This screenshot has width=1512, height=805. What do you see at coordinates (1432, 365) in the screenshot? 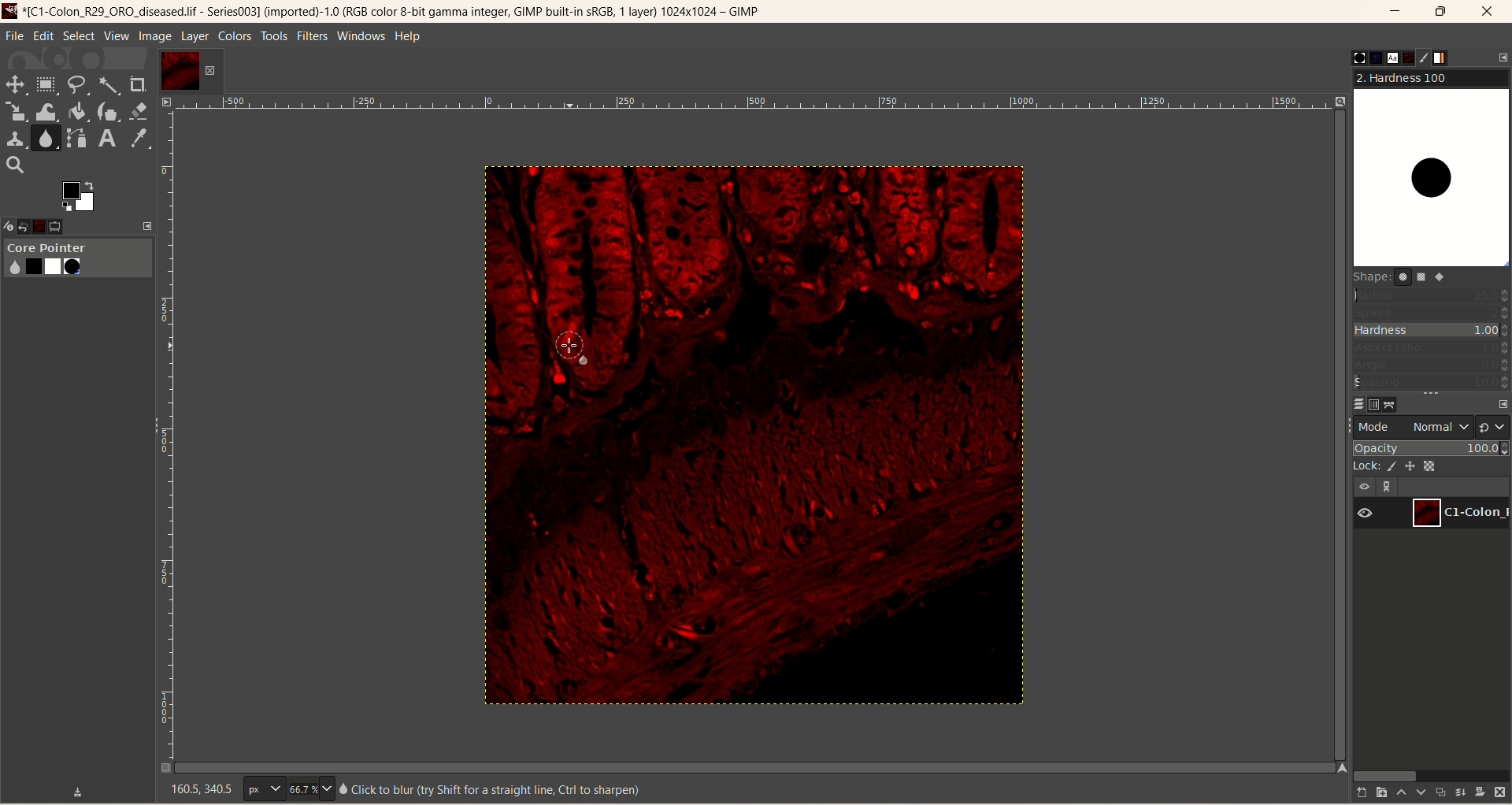
I see `angle` at bounding box center [1432, 365].